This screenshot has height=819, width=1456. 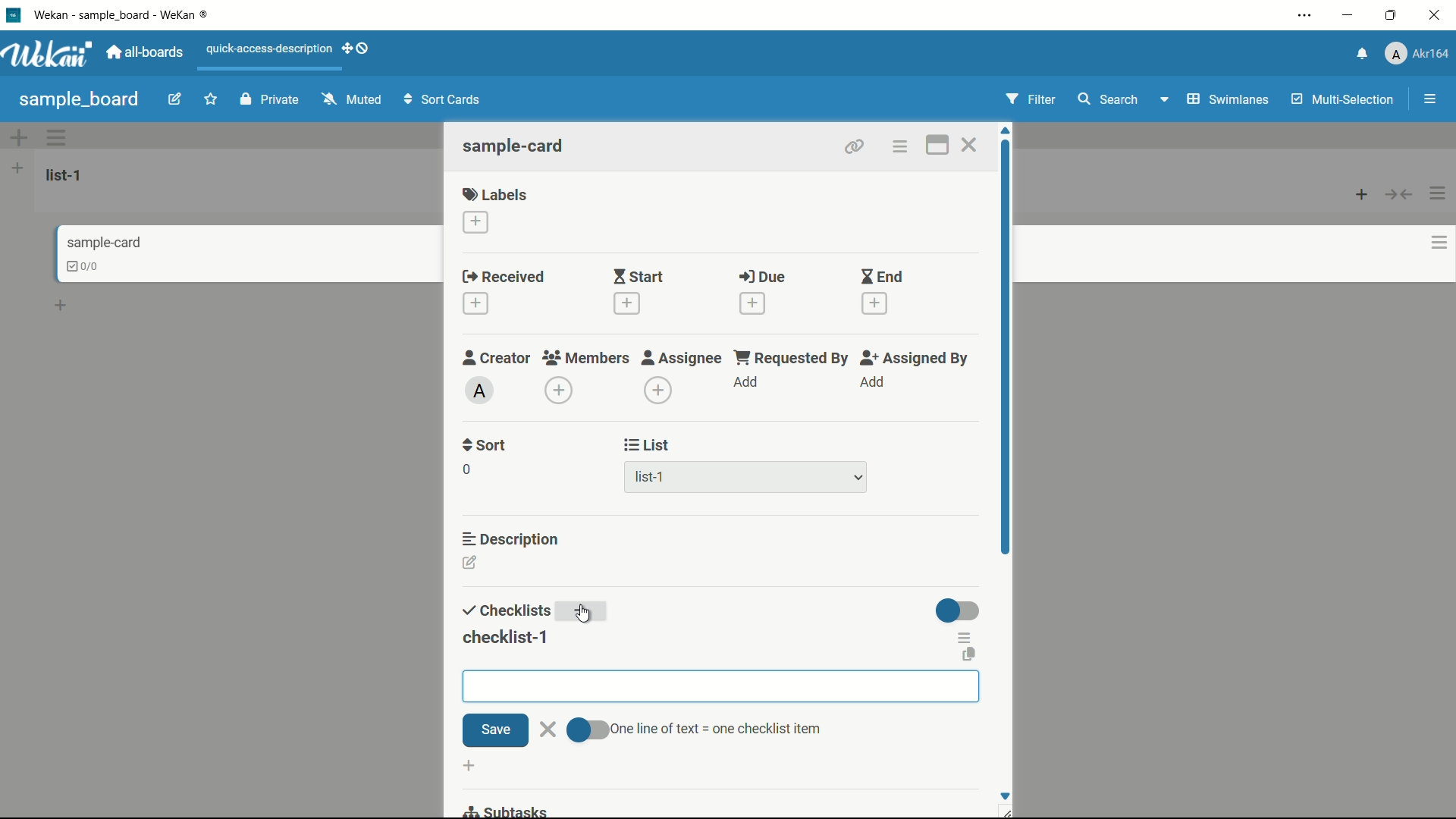 What do you see at coordinates (1438, 15) in the screenshot?
I see `close app` at bounding box center [1438, 15].